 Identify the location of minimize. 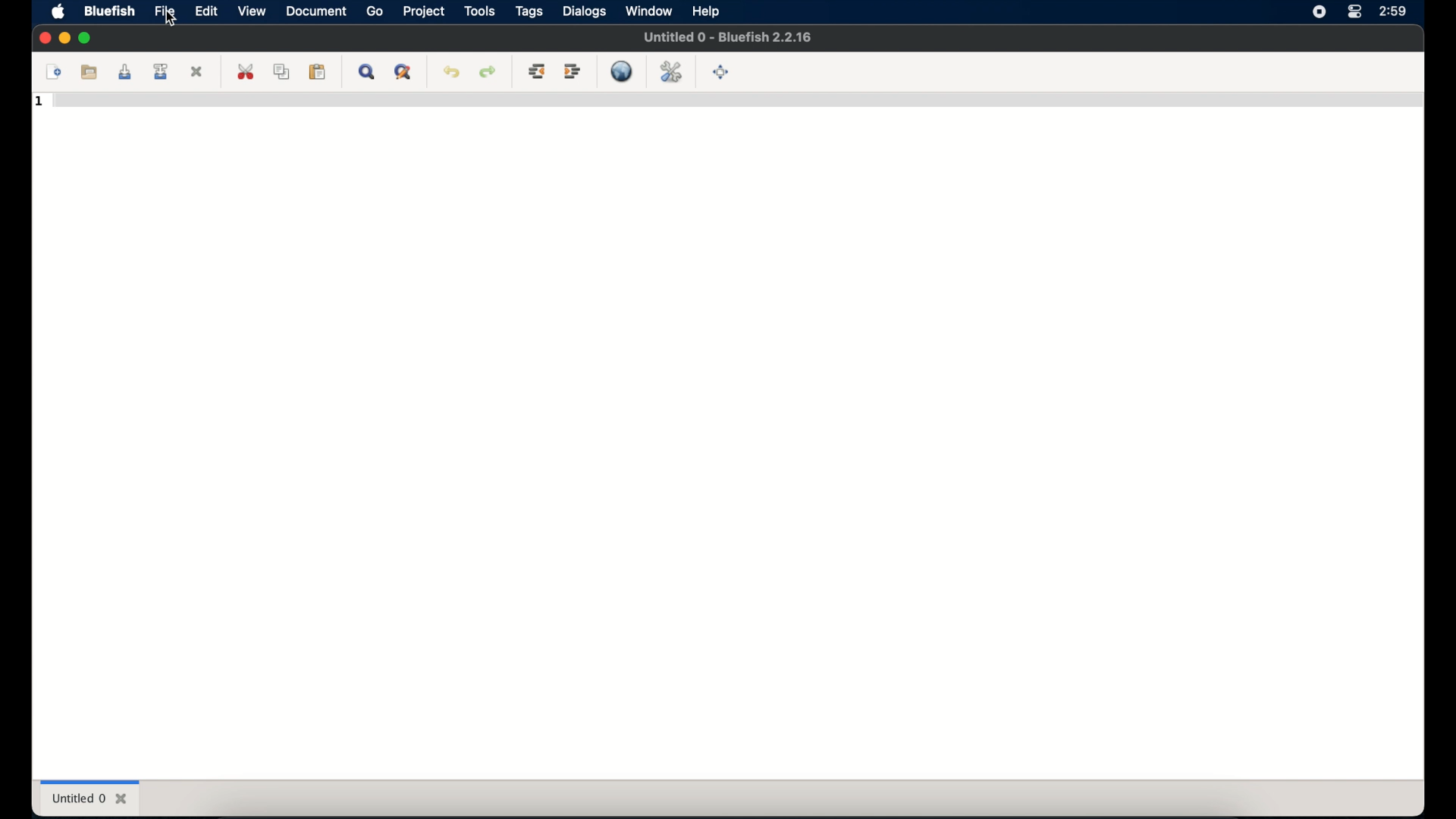
(64, 39).